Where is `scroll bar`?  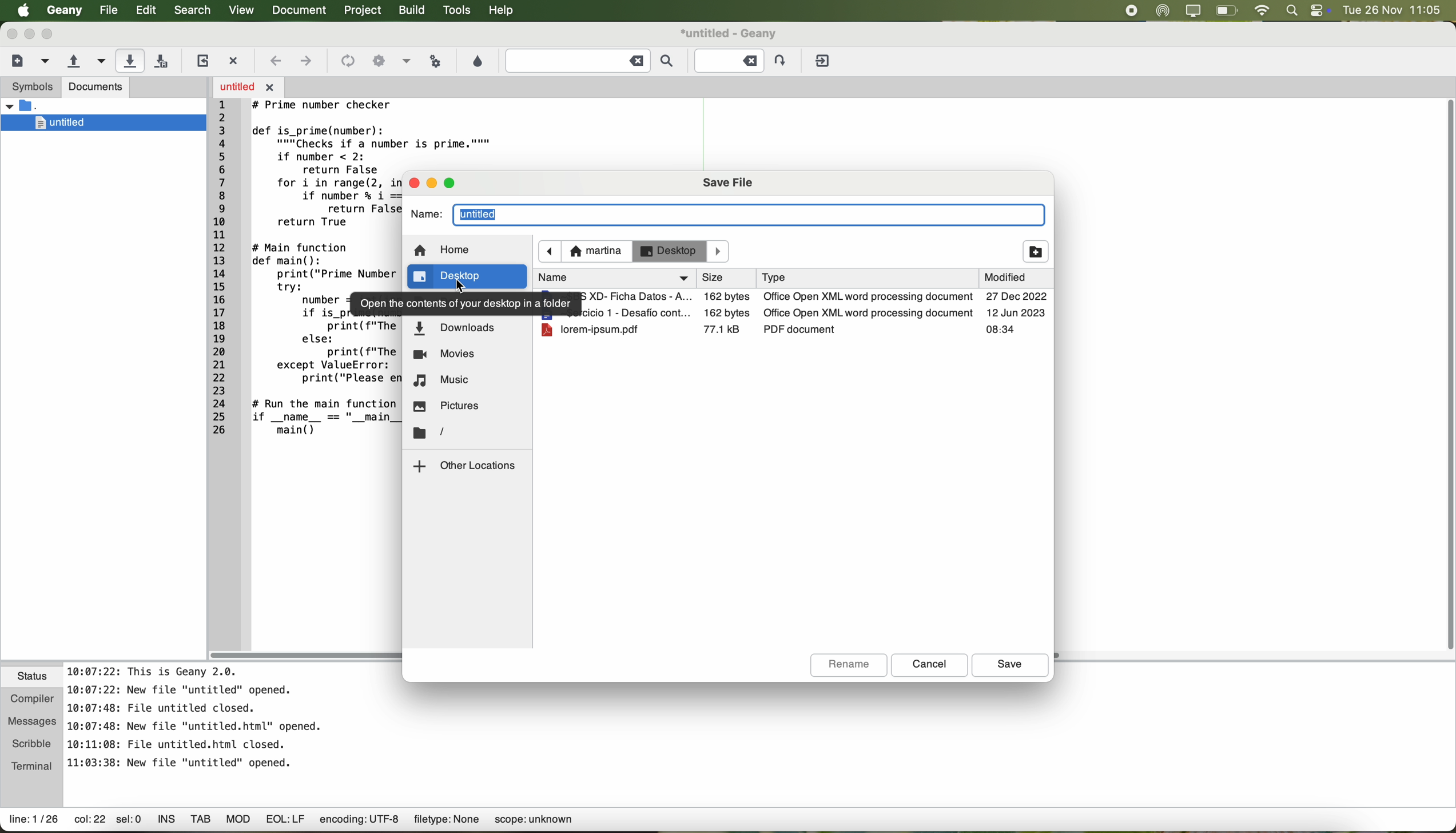
scroll bar is located at coordinates (307, 656).